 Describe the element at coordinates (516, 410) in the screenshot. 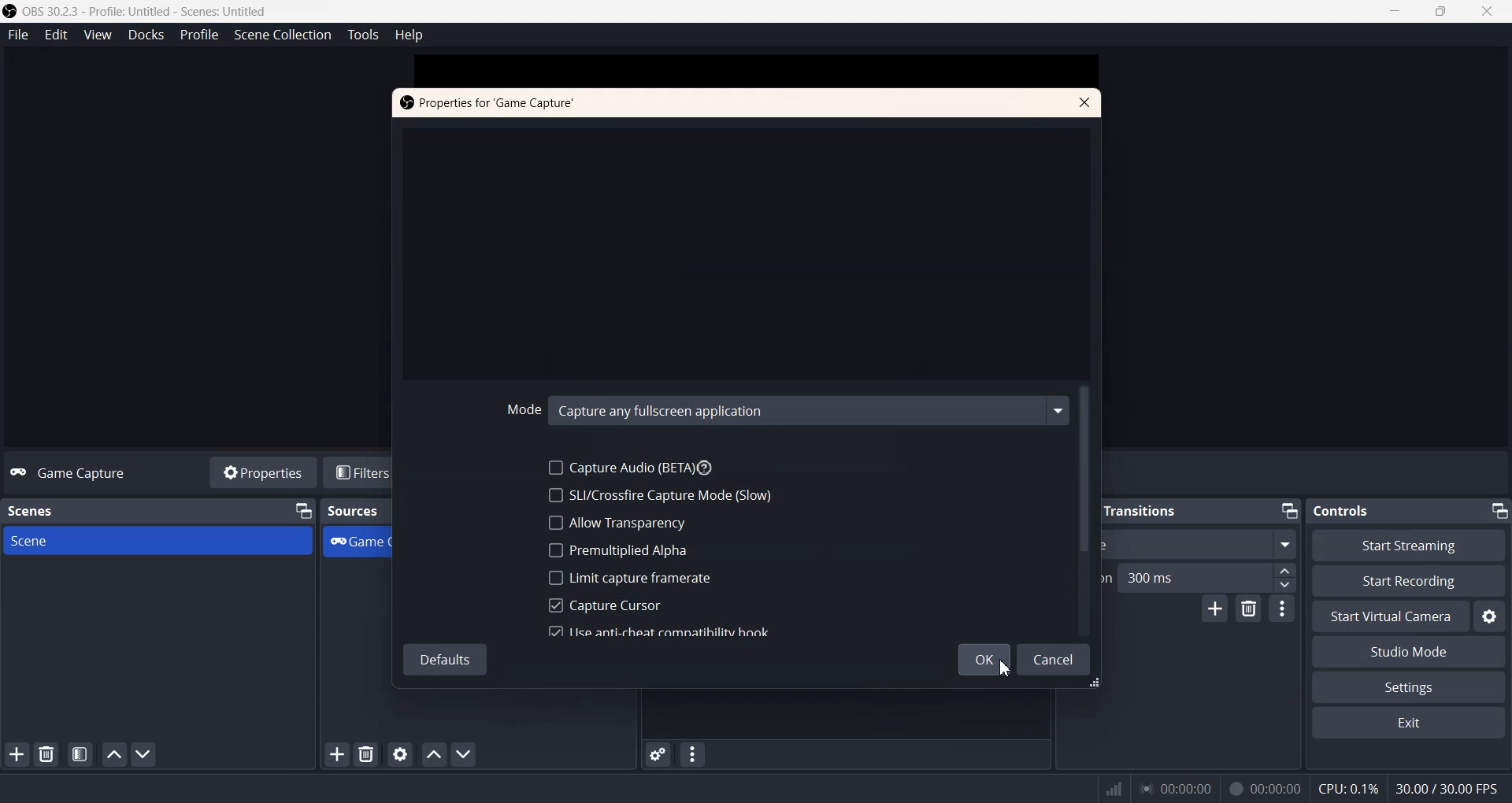

I see `Mode` at that location.